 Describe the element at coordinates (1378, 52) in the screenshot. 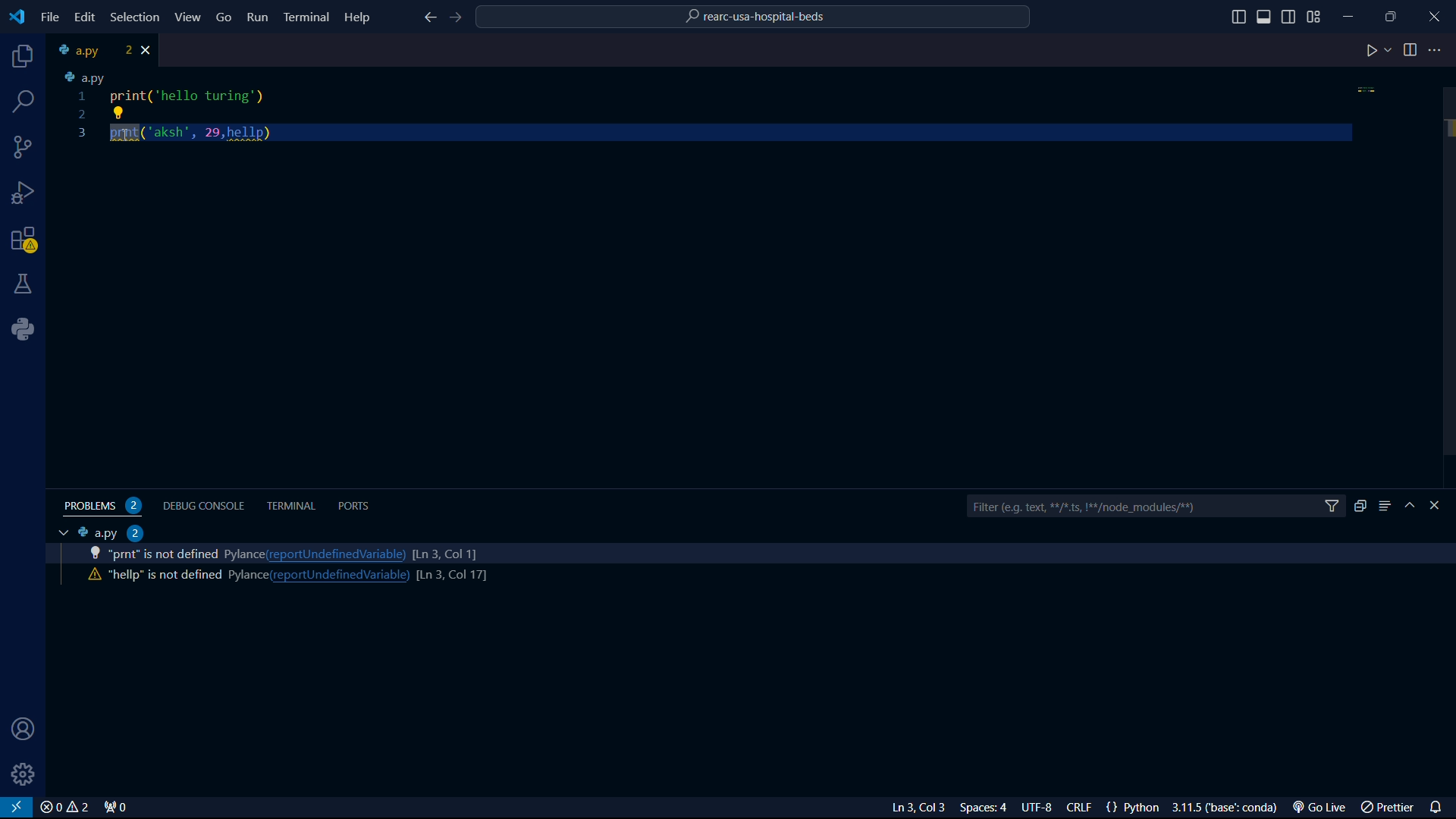

I see `play` at that location.